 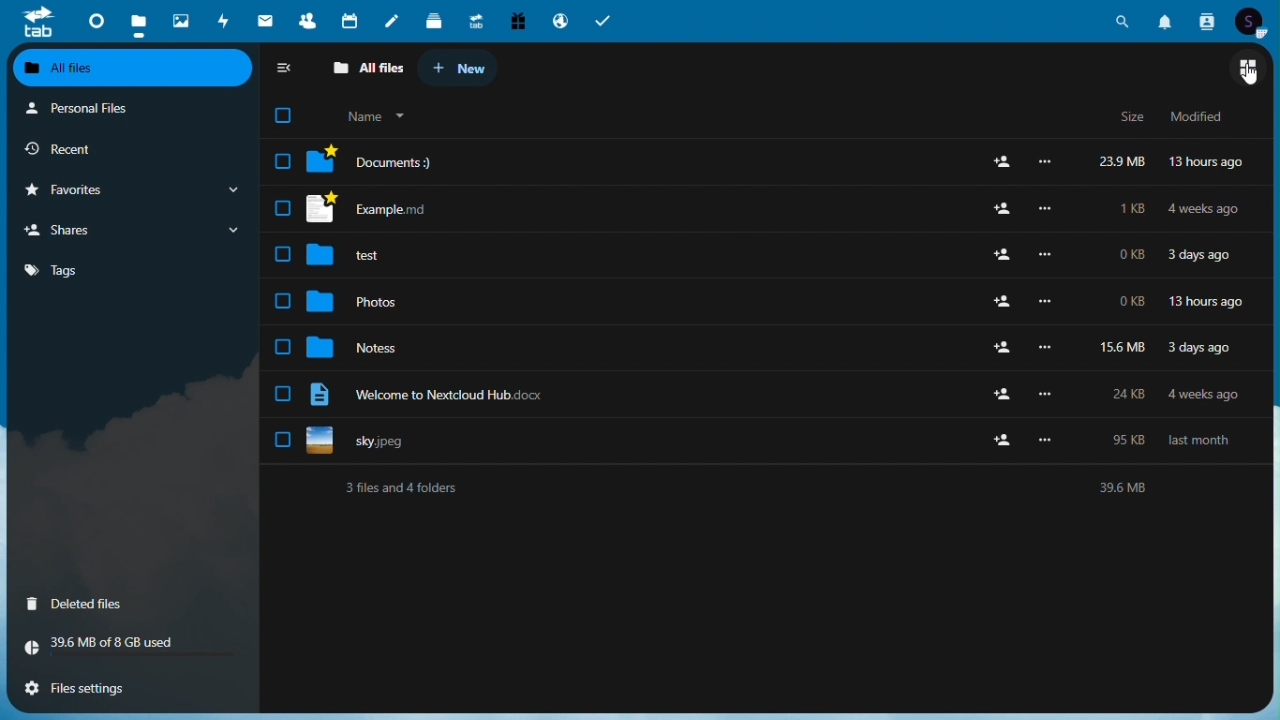 I want to click on switch to grid view, so click(x=1251, y=69).